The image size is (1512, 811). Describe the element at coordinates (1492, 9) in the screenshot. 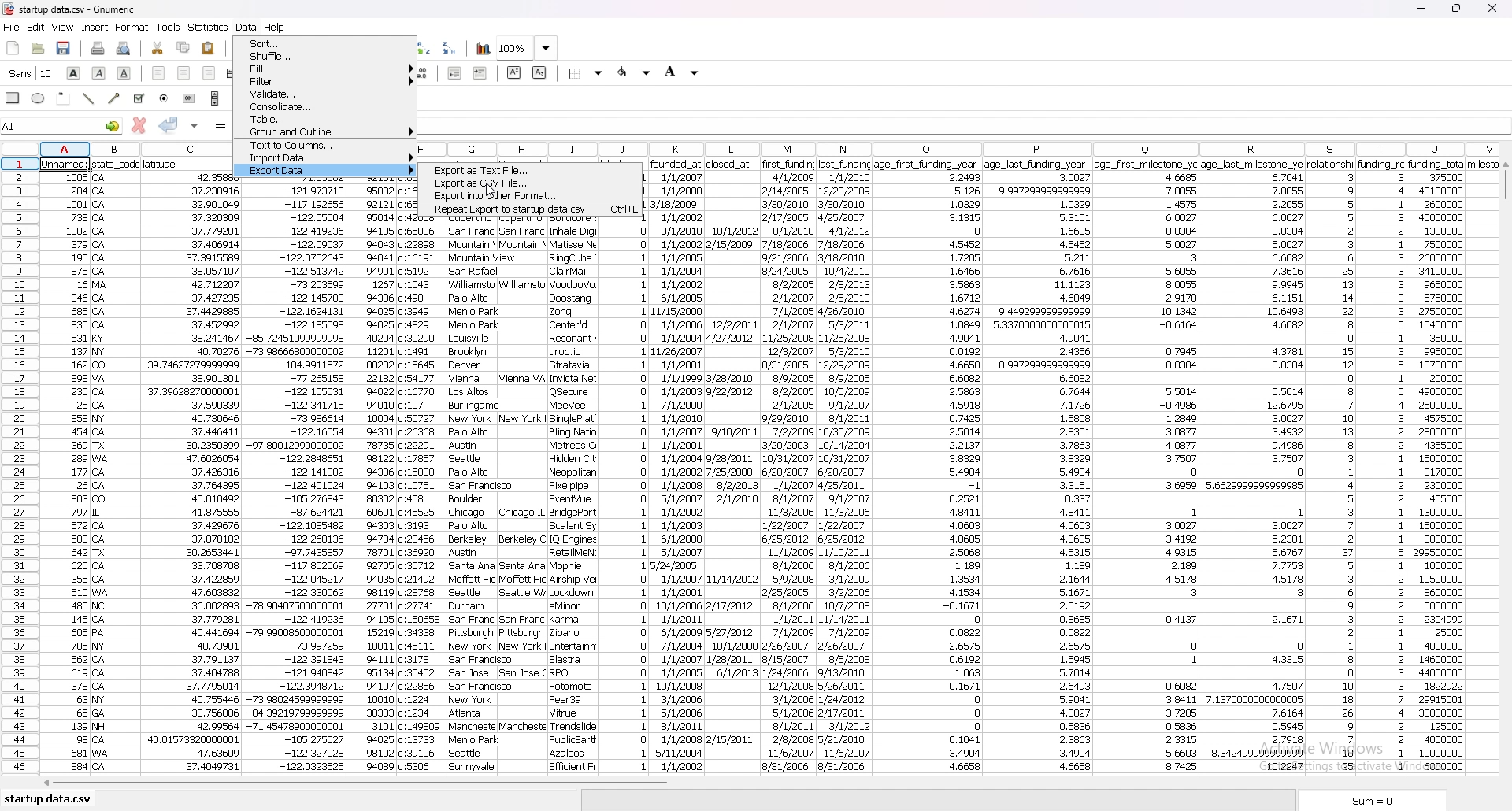

I see `close` at that location.